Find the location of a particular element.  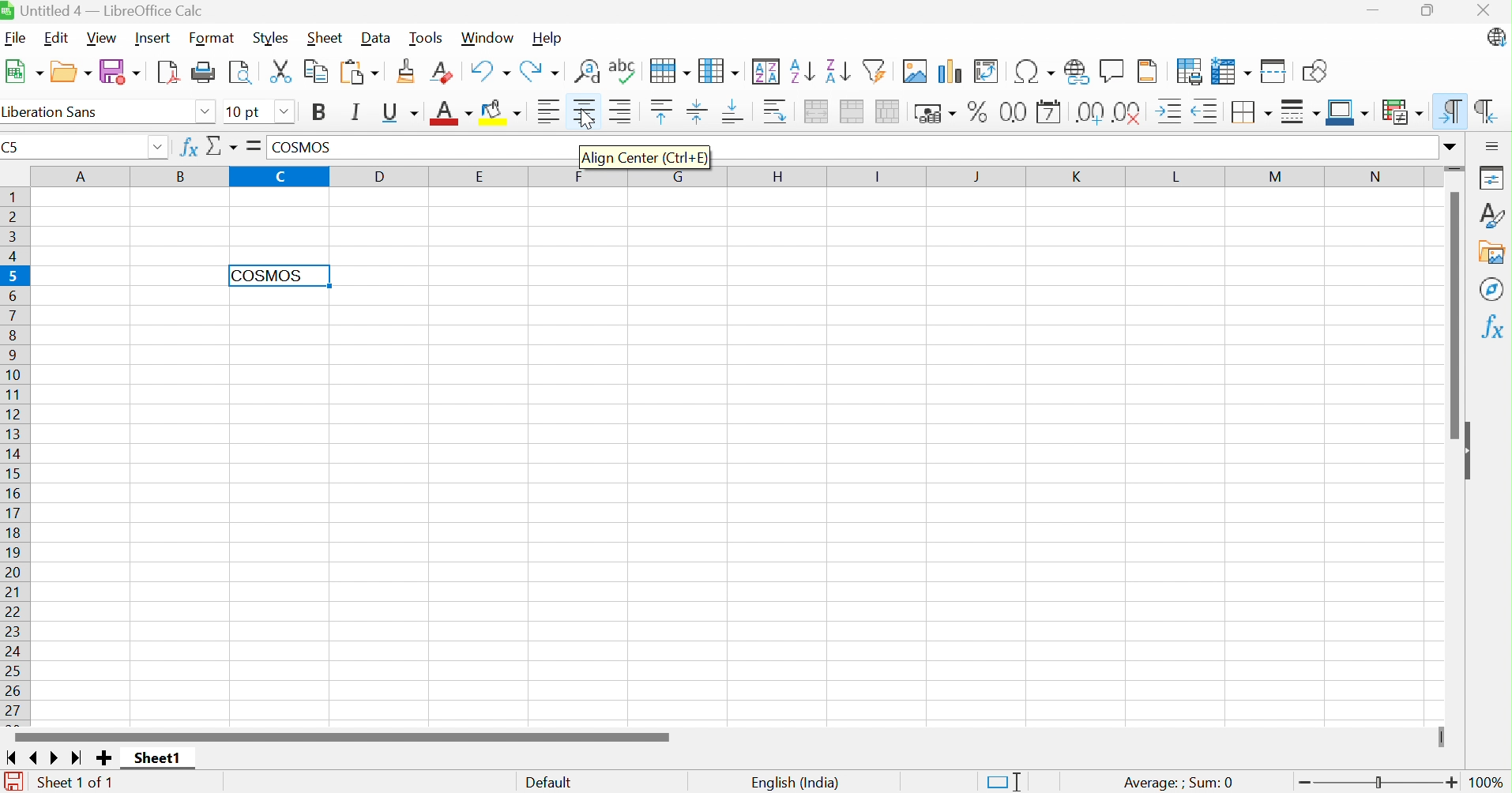

LibreOffice Update Available is located at coordinates (1495, 37).